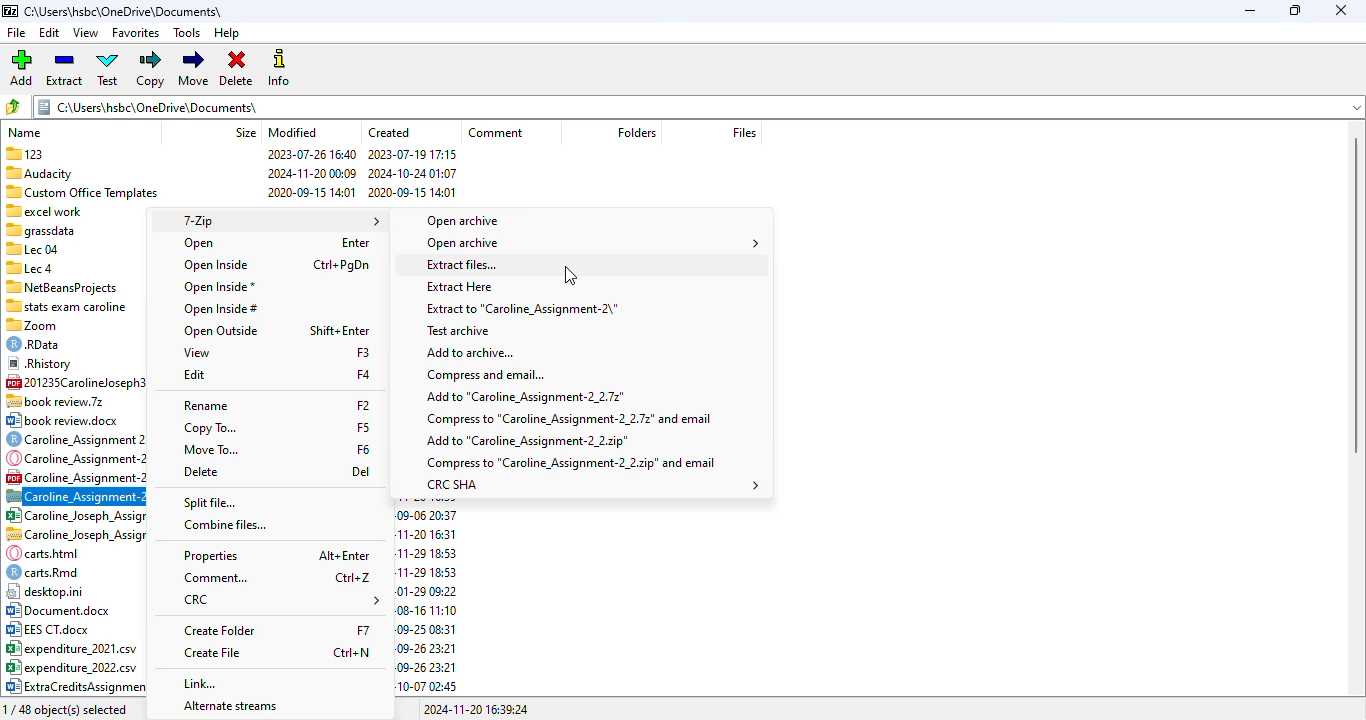  I want to click on delete, so click(237, 69).